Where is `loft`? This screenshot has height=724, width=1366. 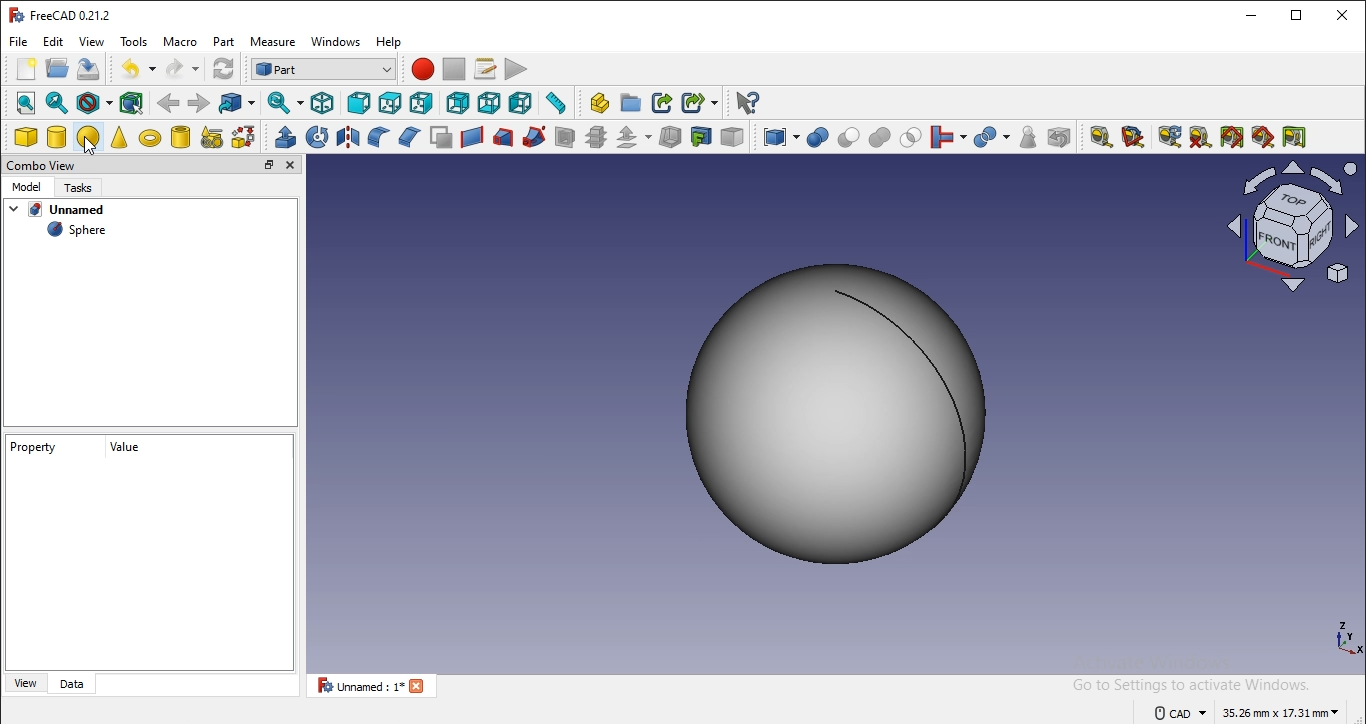 loft is located at coordinates (505, 137).